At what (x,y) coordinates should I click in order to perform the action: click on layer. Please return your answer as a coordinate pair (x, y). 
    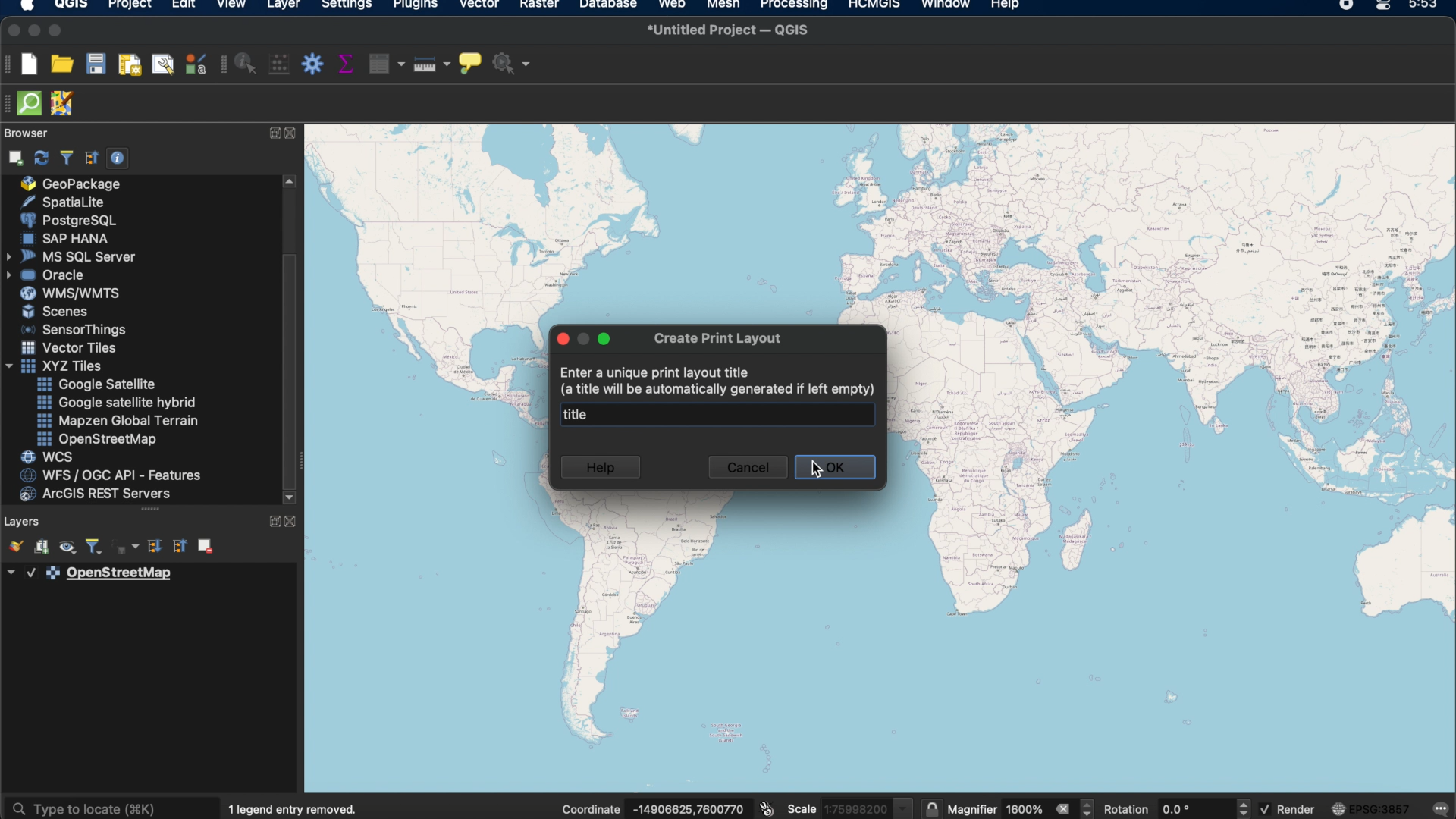
    Looking at the image, I should click on (89, 576).